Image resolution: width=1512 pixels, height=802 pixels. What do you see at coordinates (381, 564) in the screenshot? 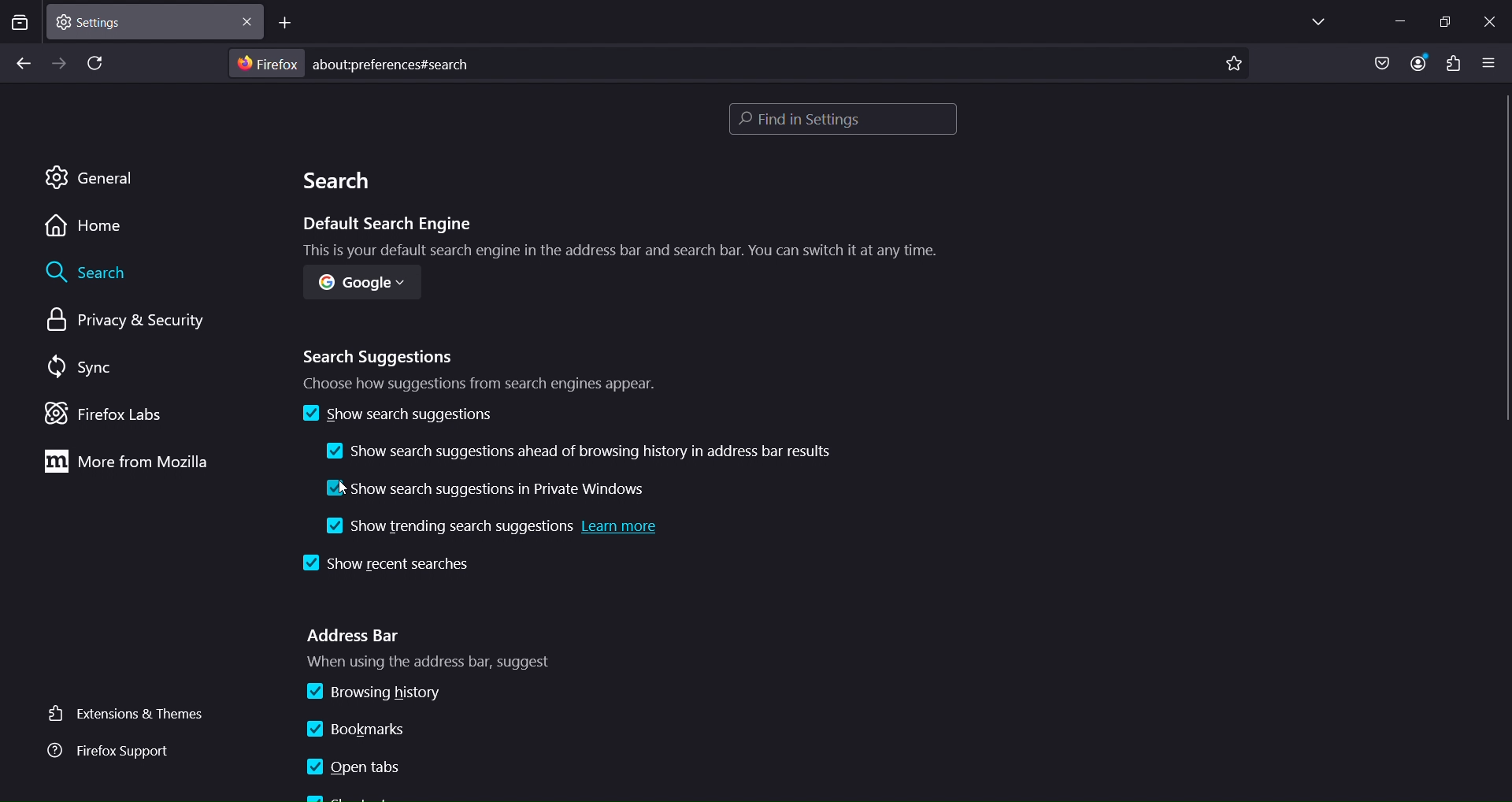
I see `show recent searches` at bounding box center [381, 564].